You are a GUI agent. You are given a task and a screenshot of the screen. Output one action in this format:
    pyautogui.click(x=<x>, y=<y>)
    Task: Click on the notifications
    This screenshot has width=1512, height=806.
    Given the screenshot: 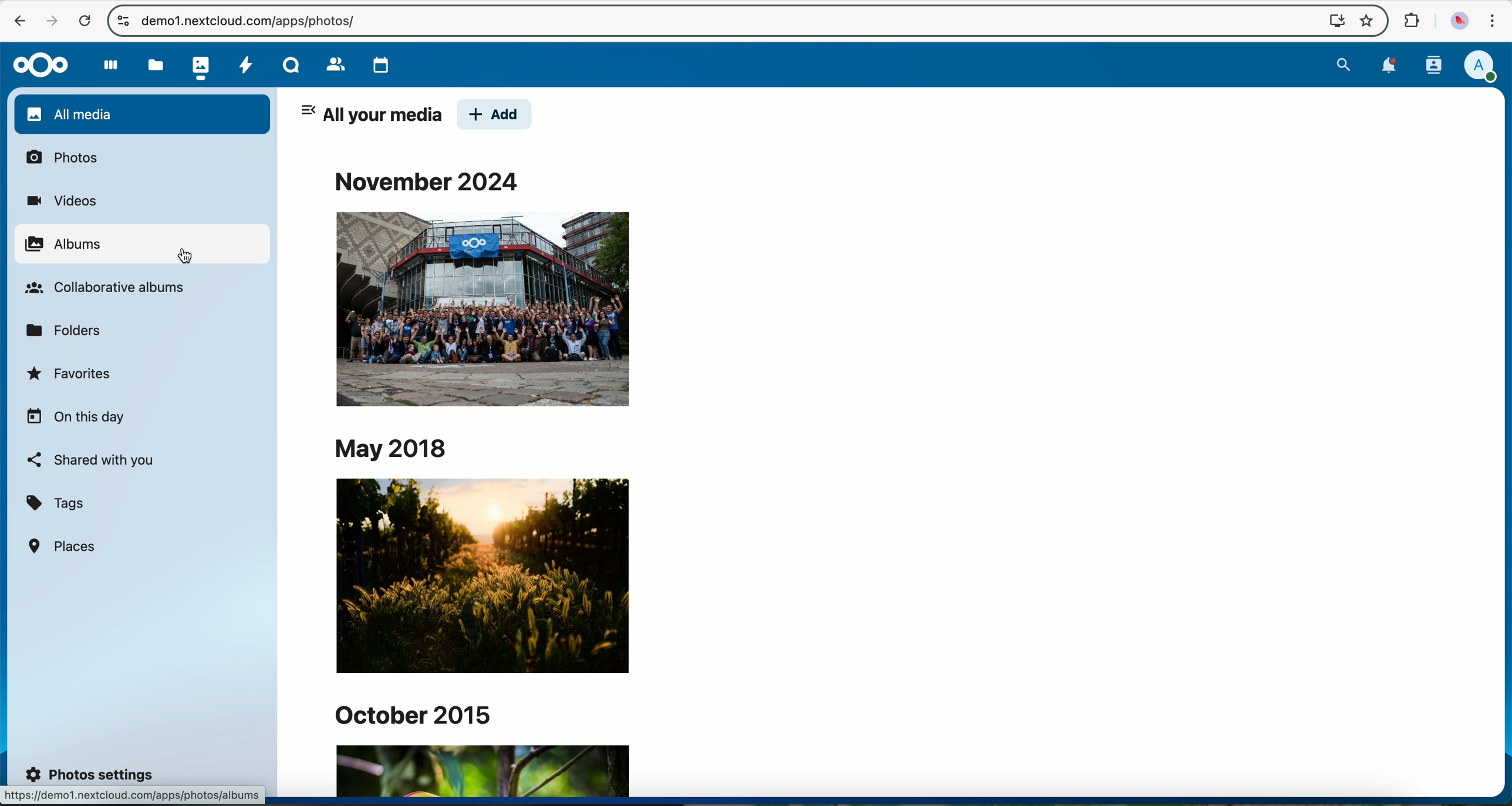 What is the action you would take?
    pyautogui.click(x=1385, y=66)
    